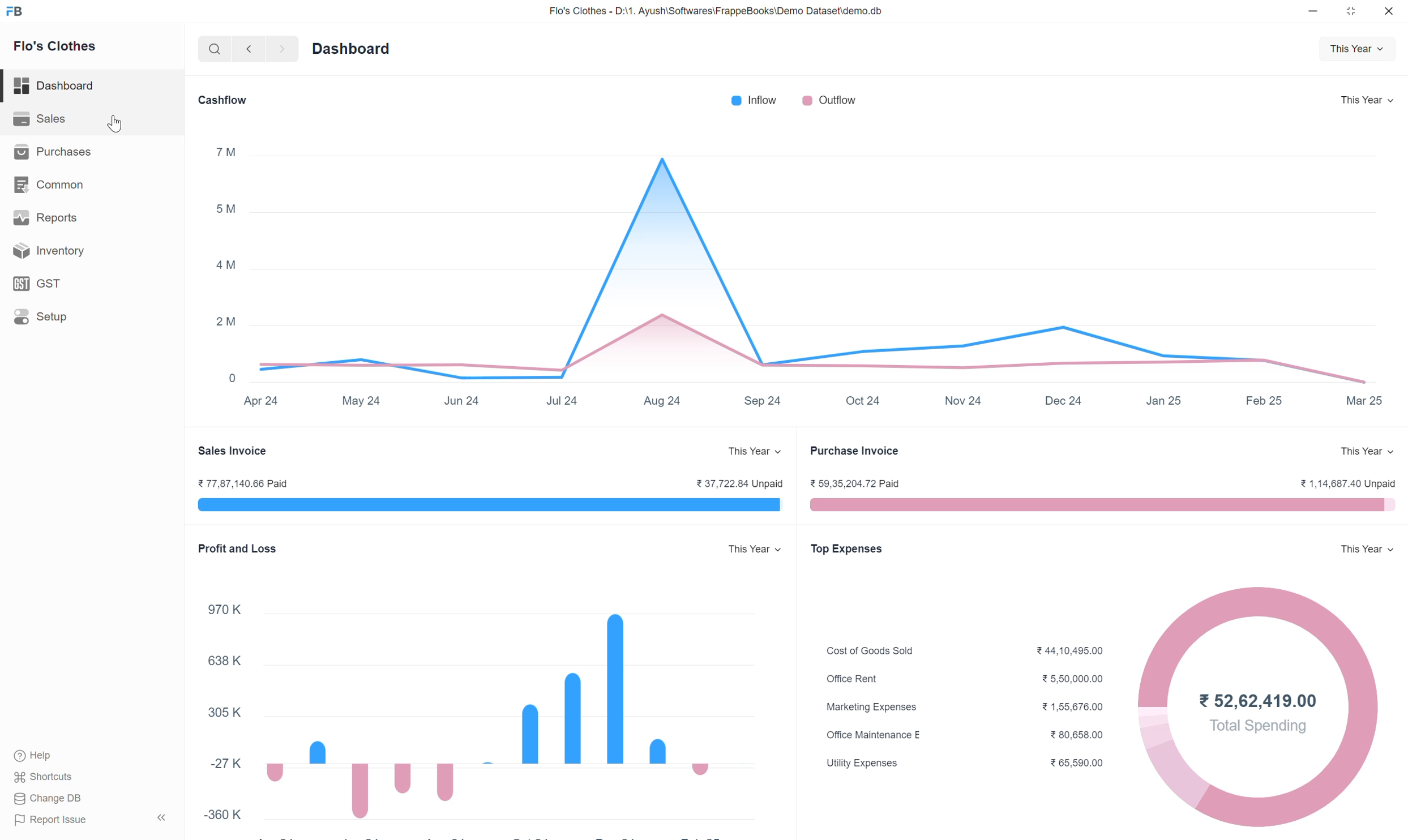 The image size is (1408, 840). What do you see at coordinates (1366, 400) in the screenshot?
I see `Mar 25` at bounding box center [1366, 400].